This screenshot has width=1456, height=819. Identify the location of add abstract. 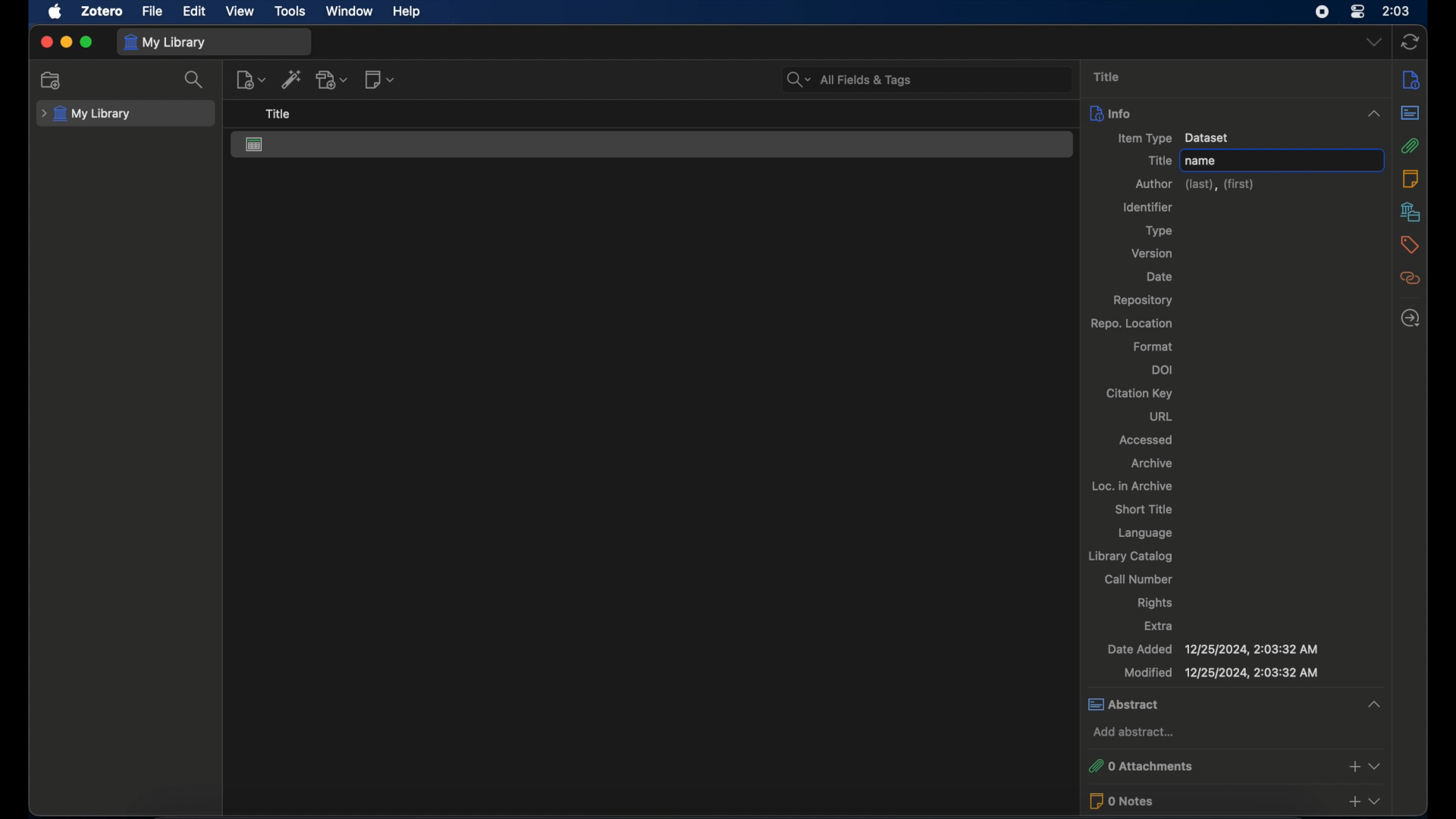
(1137, 732).